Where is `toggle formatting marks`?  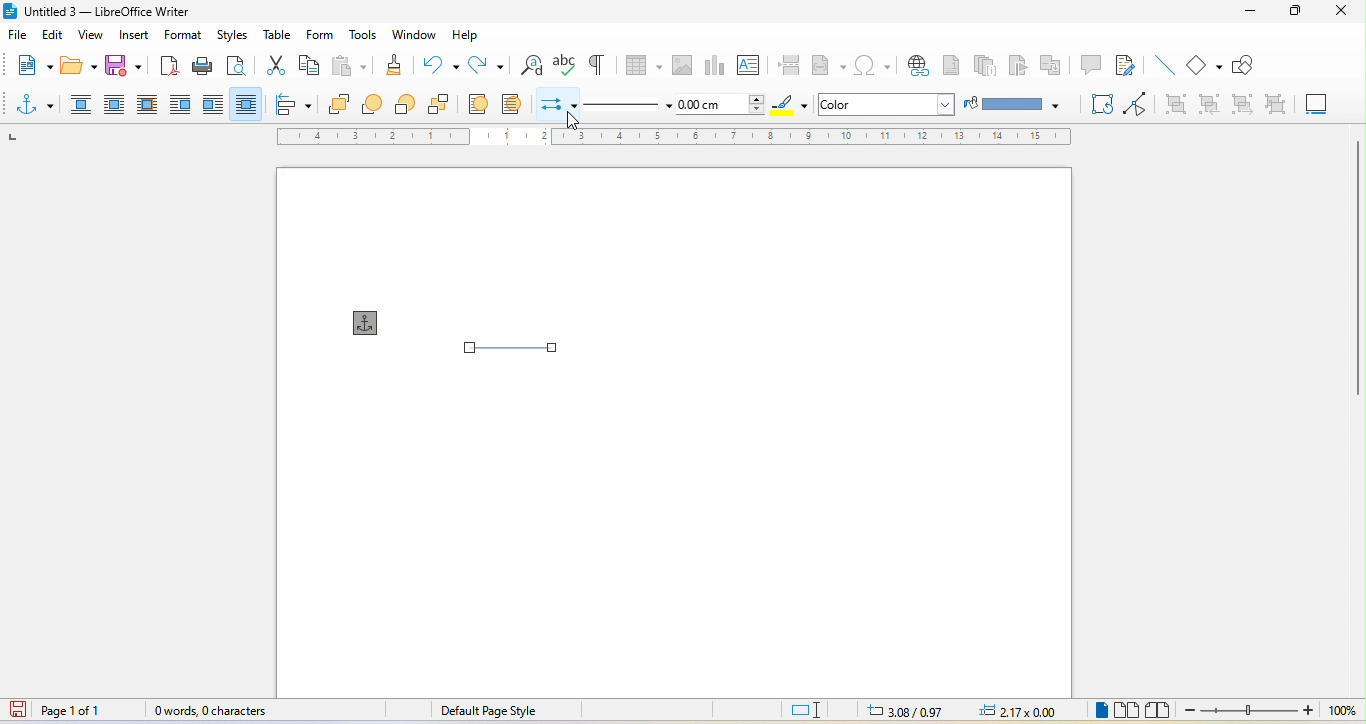 toggle formatting marks is located at coordinates (594, 65).